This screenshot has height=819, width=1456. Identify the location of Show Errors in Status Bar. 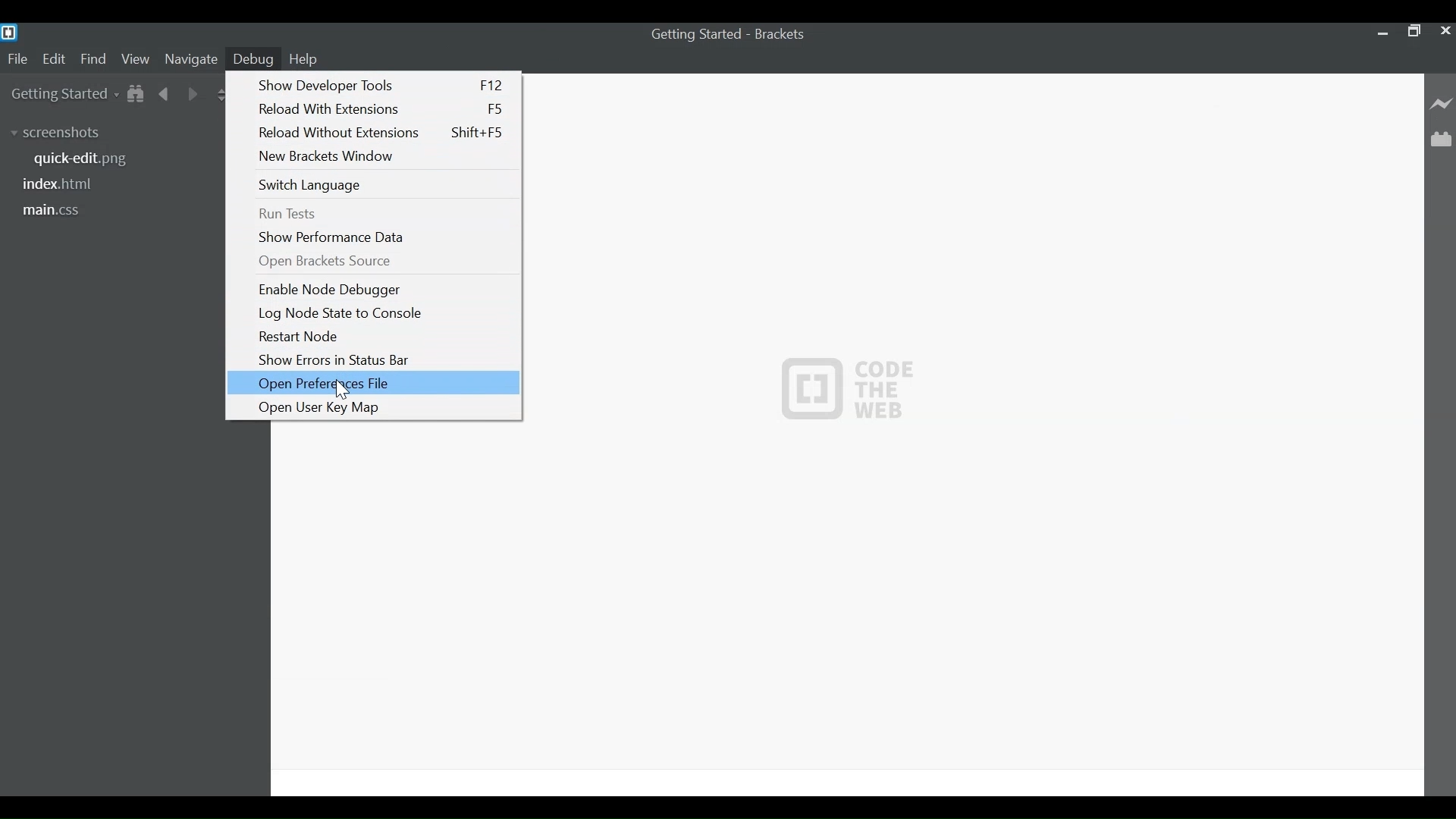
(381, 360).